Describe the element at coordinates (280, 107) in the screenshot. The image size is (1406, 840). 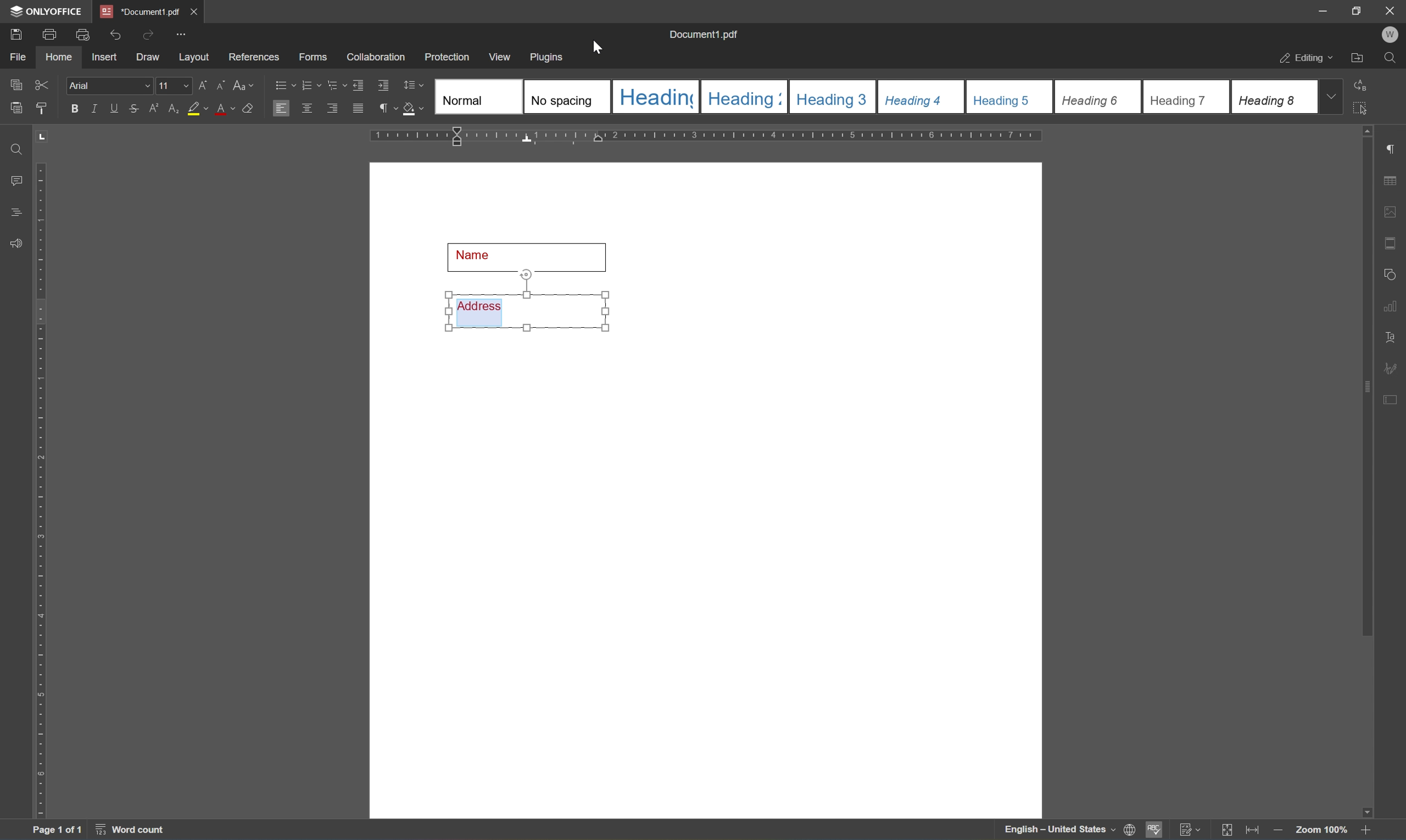
I see `align left` at that location.